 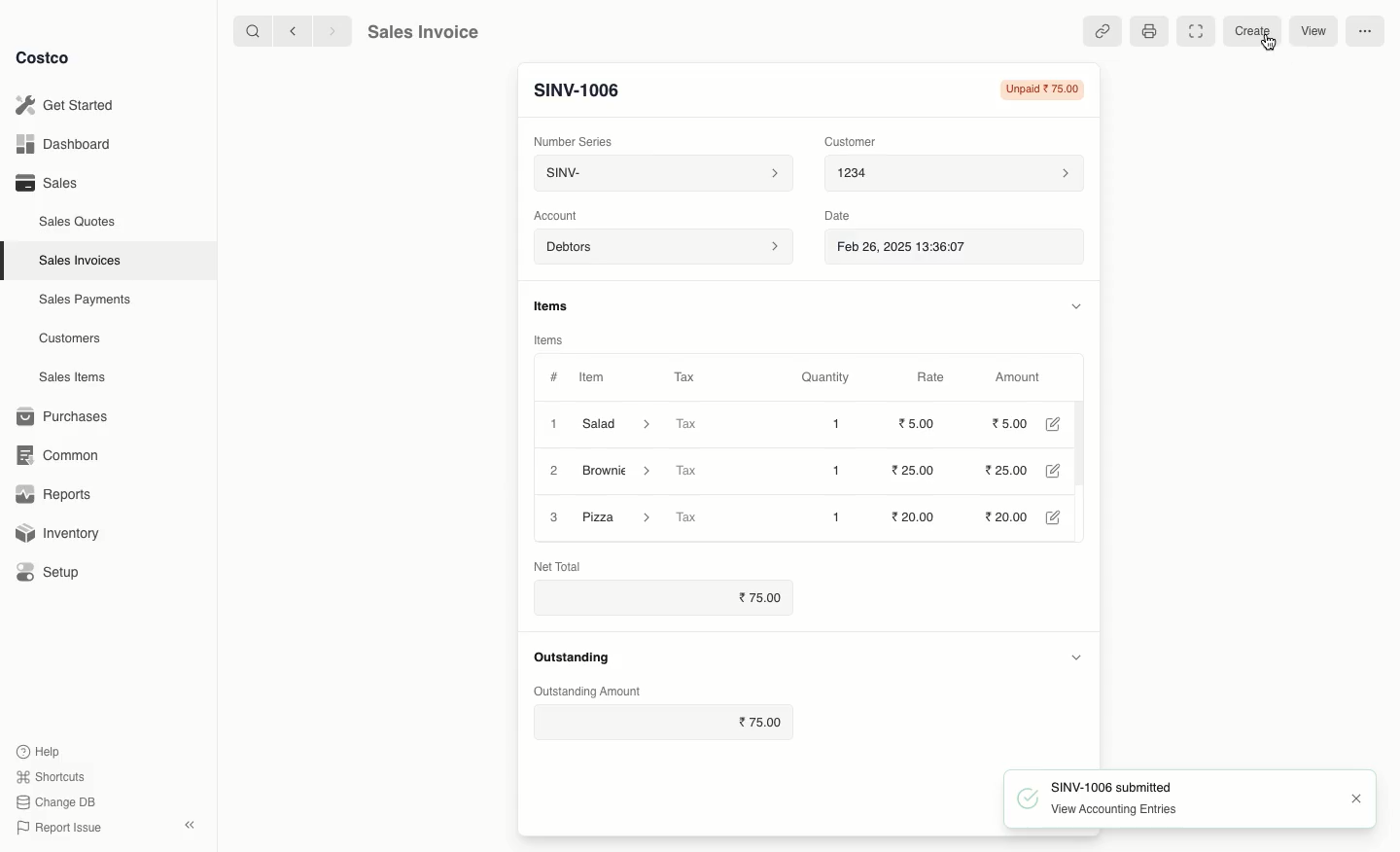 I want to click on Tax, so click(x=682, y=373).